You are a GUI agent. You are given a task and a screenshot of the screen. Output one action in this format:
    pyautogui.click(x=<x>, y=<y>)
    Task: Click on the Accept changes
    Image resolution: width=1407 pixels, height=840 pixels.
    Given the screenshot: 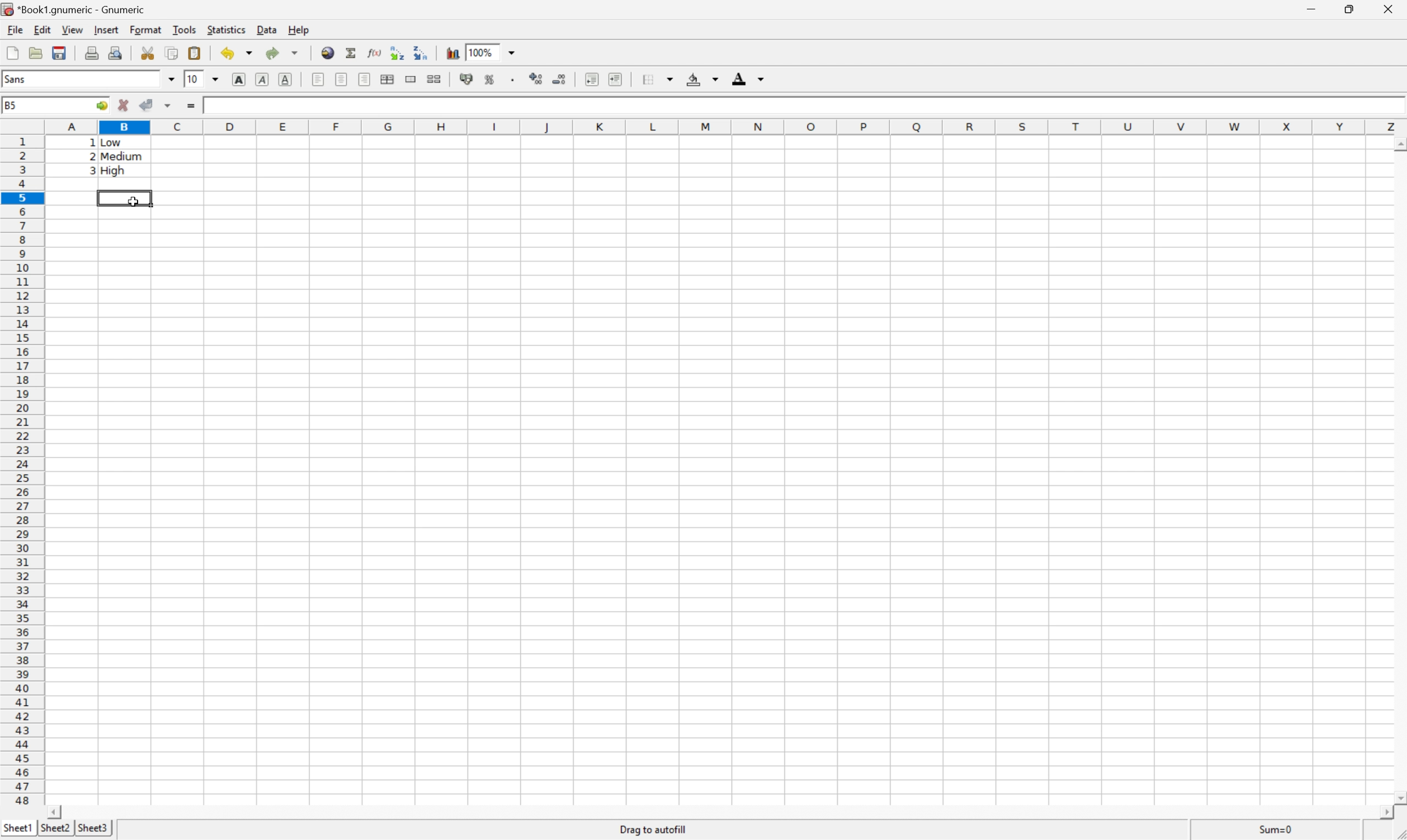 What is the action you would take?
    pyautogui.click(x=147, y=104)
    